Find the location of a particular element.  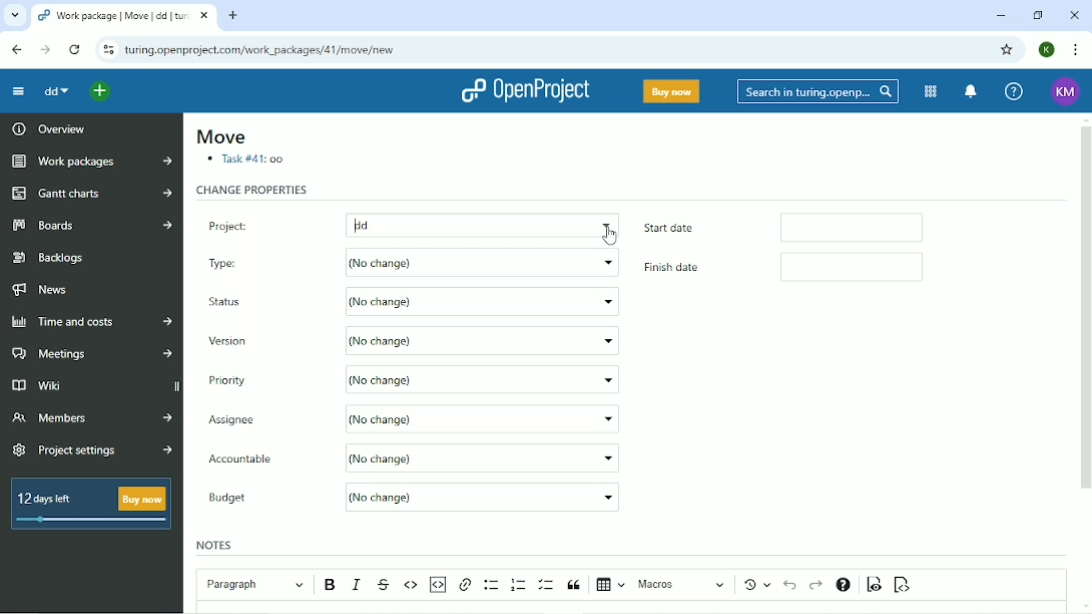

Current tab is located at coordinates (122, 16).